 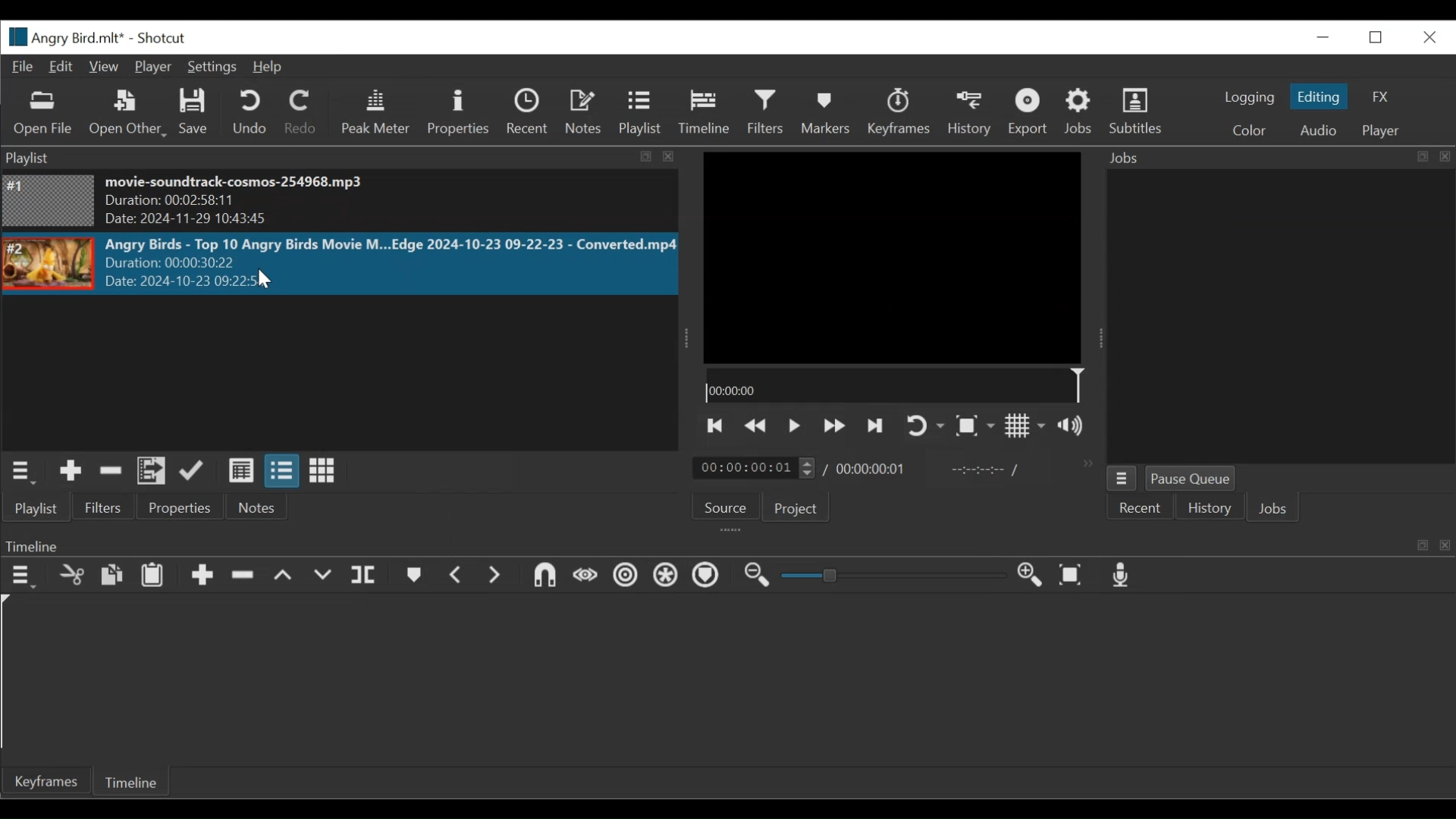 I want to click on Append, so click(x=201, y=576).